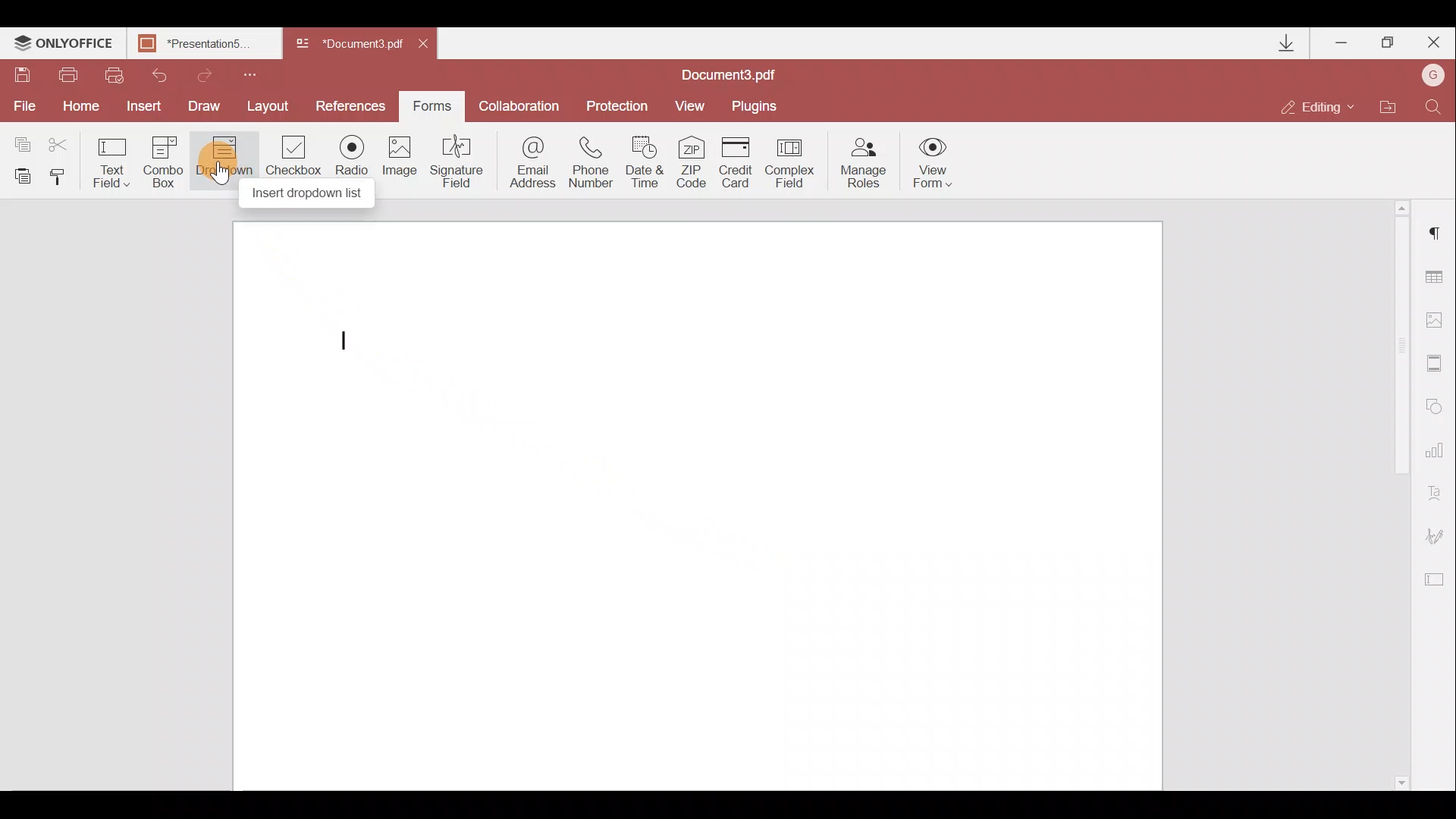  Describe the element at coordinates (221, 165) in the screenshot. I see `Dropdown` at that location.